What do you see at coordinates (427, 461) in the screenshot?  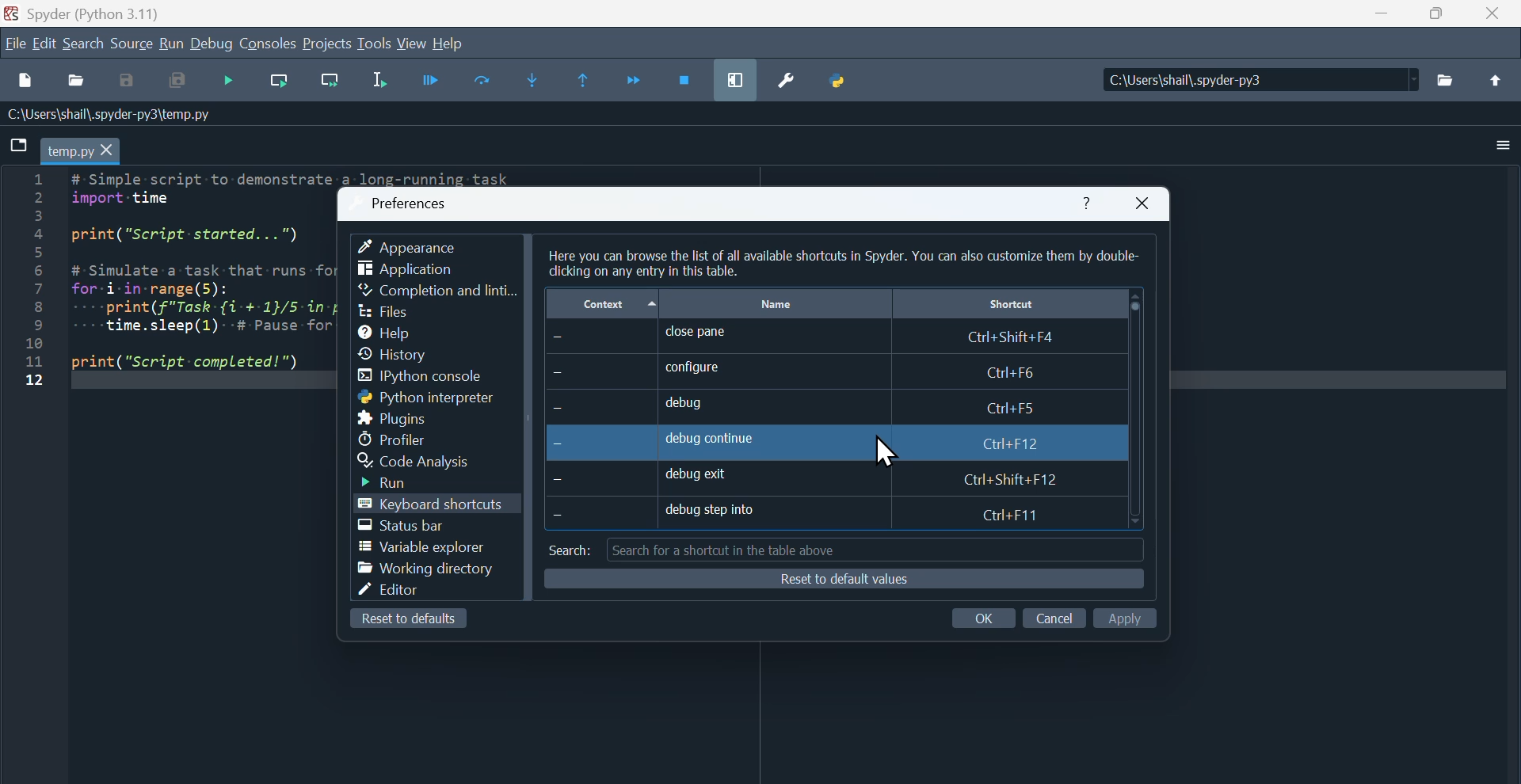 I see `Code analysis` at bounding box center [427, 461].